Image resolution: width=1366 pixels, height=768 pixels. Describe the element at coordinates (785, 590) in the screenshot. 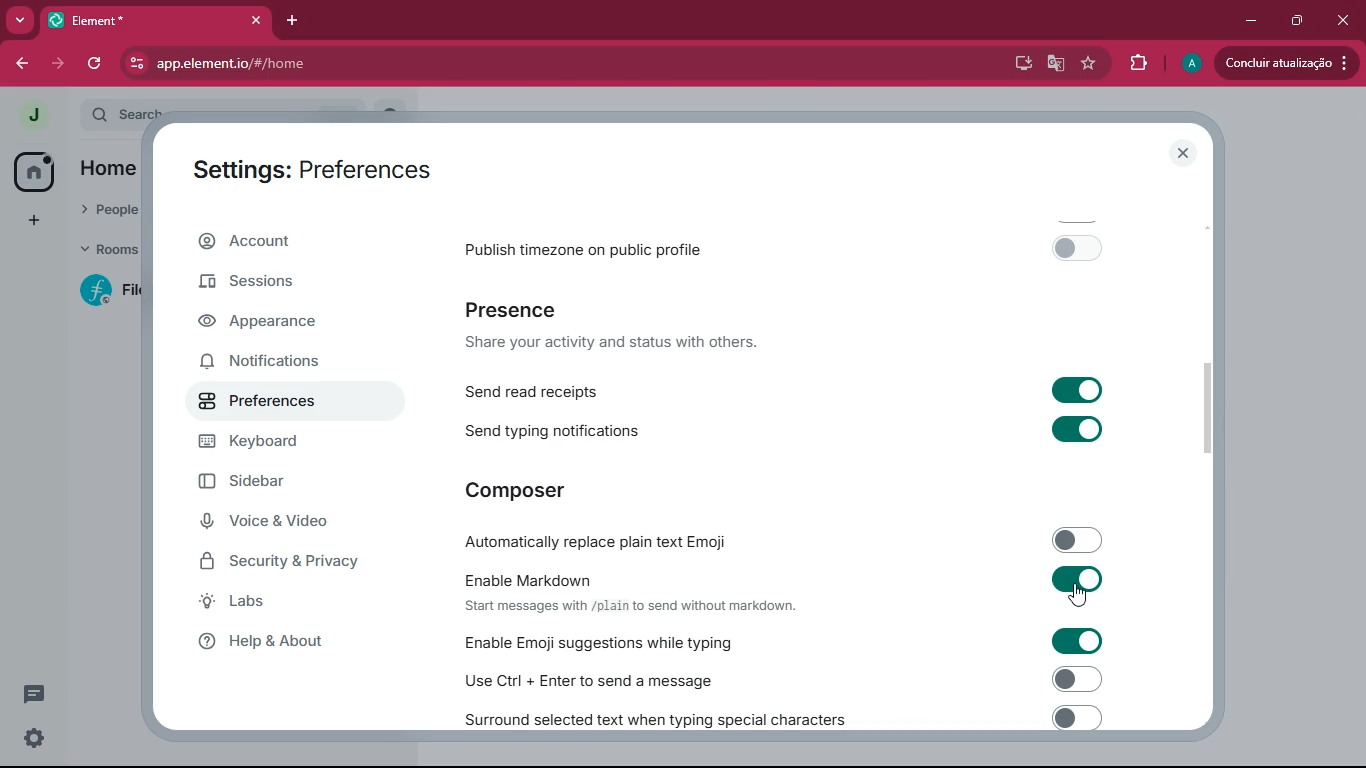

I see `enable markdown` at that location.